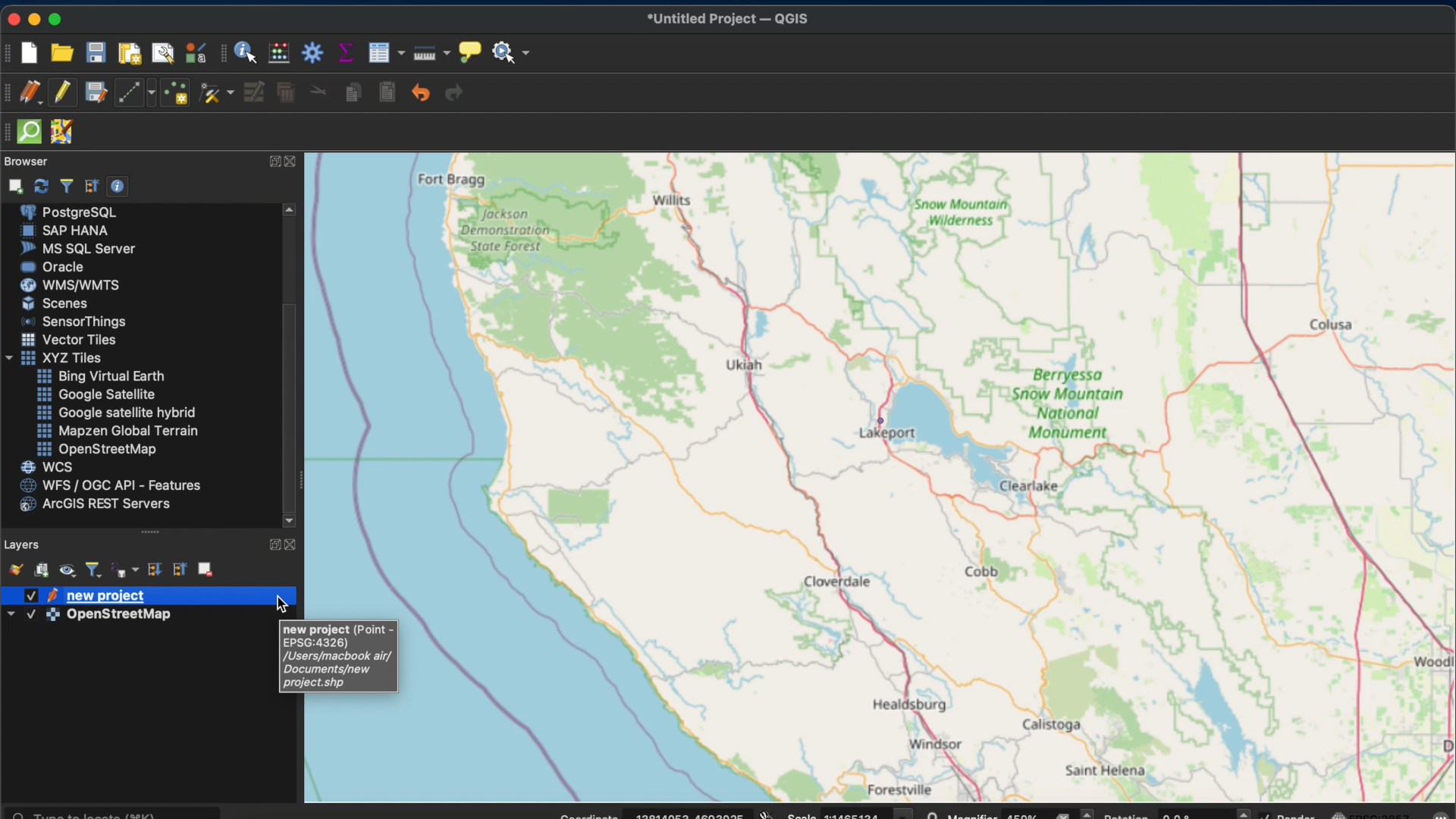  Describe the element at coordinates (52, 266) in the screenshot. I see `oracle ` at that location.